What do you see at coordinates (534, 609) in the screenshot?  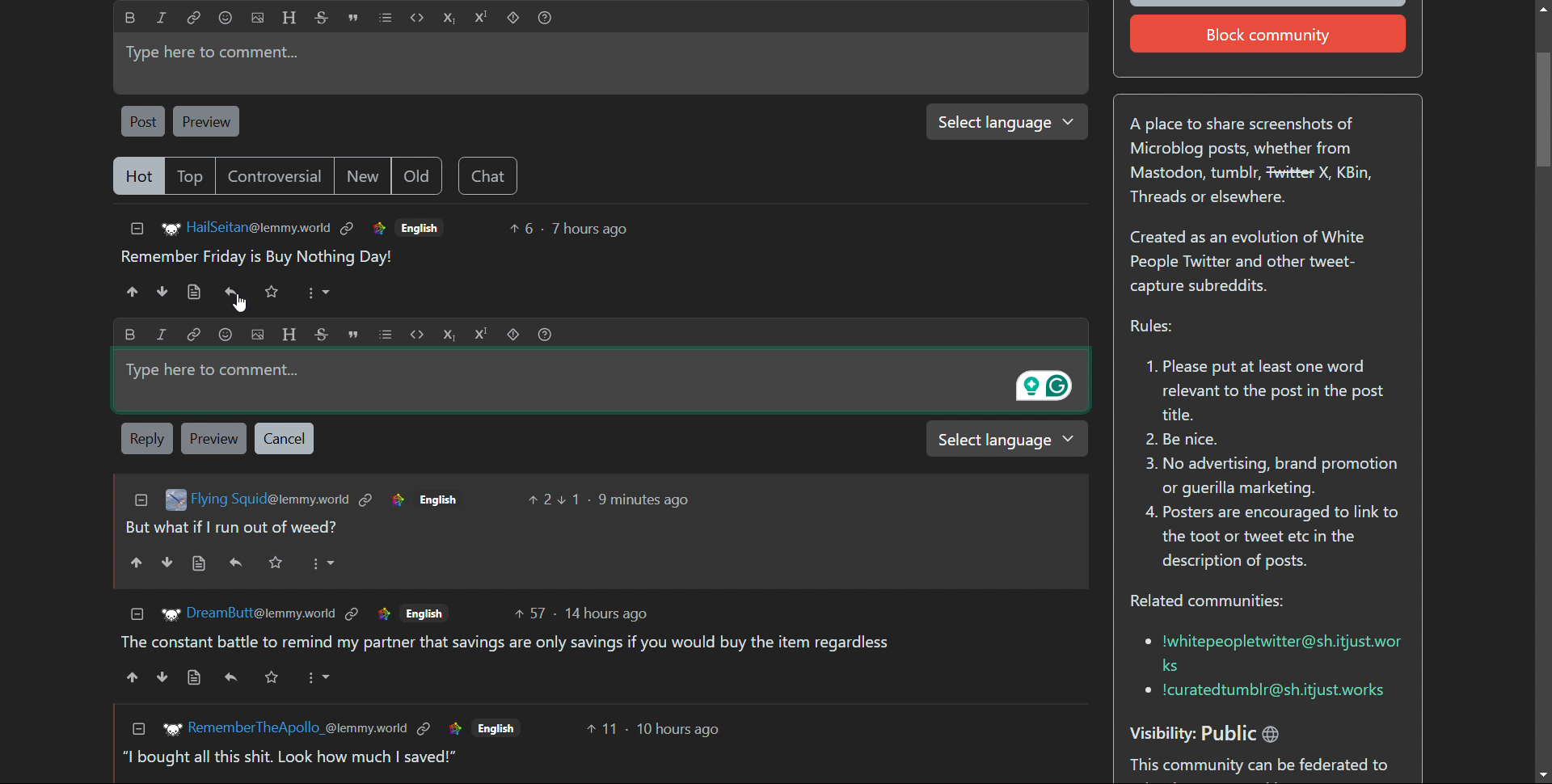 I see `number of upvotes` at bounding box center [534, 609].